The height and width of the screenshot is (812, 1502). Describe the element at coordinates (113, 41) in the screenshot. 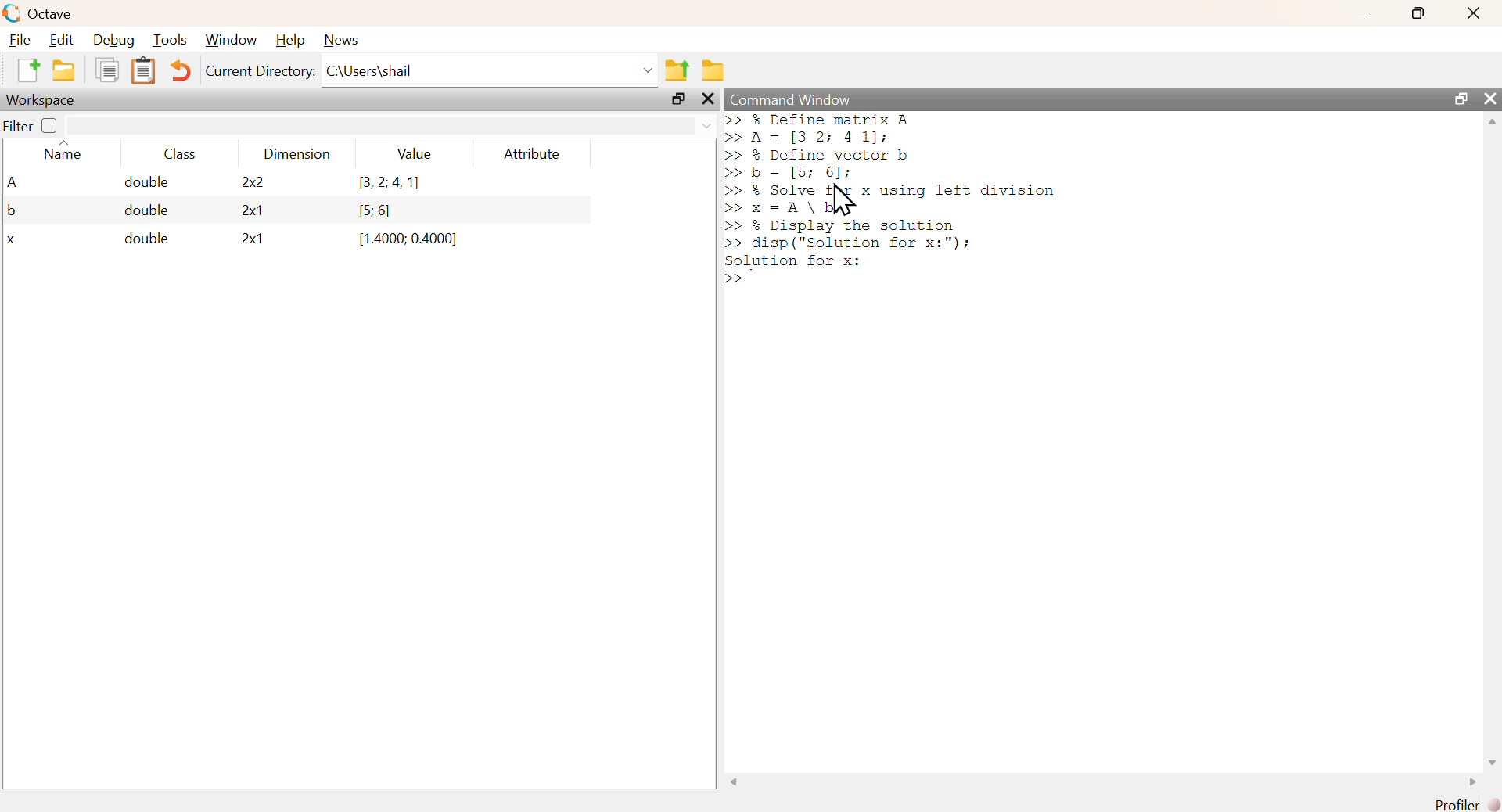

I see `debug` at that location.